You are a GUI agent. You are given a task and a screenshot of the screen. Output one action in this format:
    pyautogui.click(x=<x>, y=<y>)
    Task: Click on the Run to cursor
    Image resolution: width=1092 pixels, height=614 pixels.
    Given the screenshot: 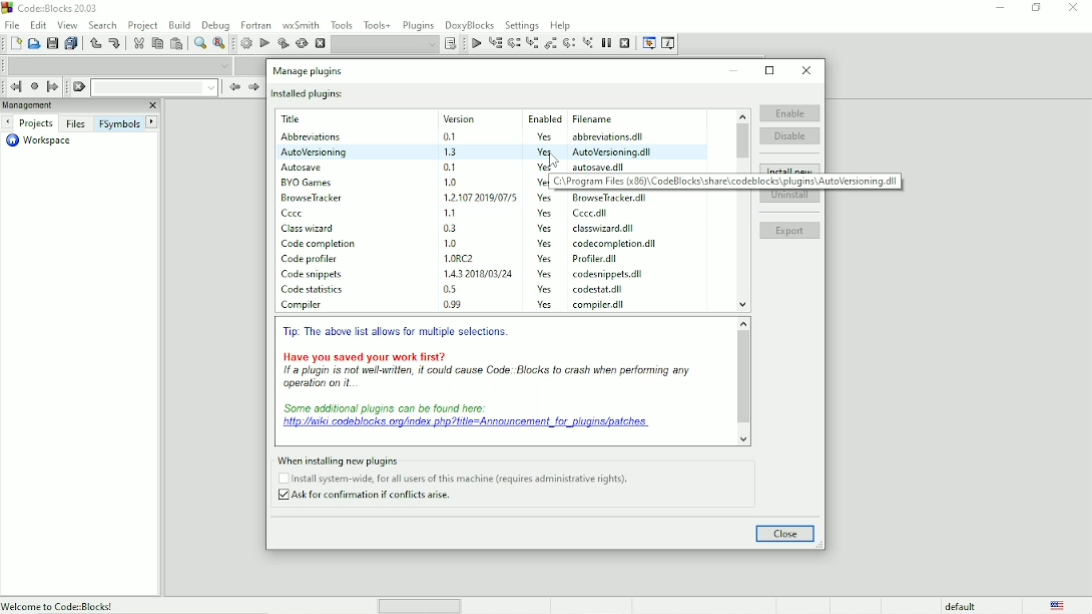 What is the action you would take?
    pyautogui.click(x=475, y=44)
    